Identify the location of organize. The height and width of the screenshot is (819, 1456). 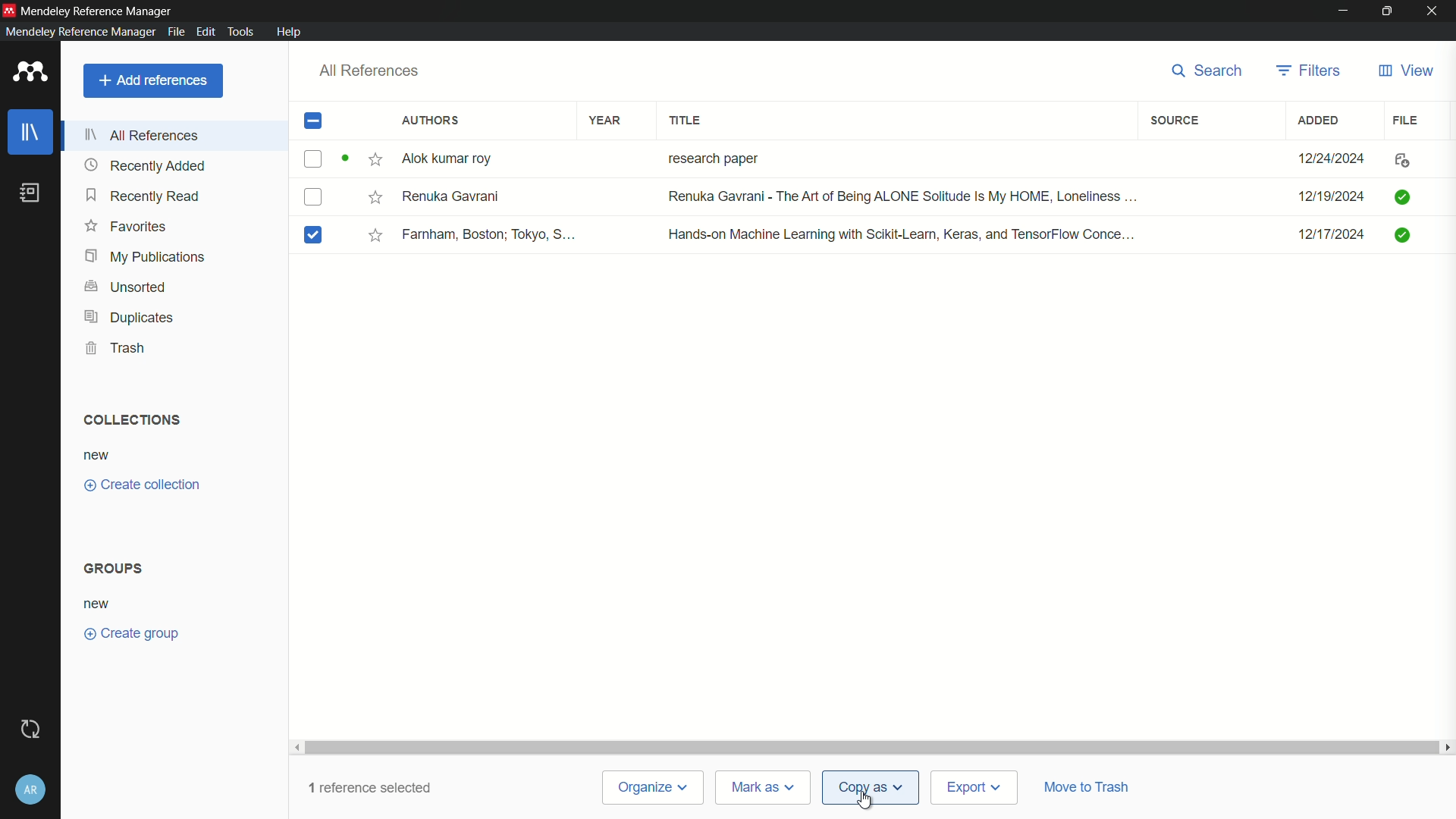
(654, 789).